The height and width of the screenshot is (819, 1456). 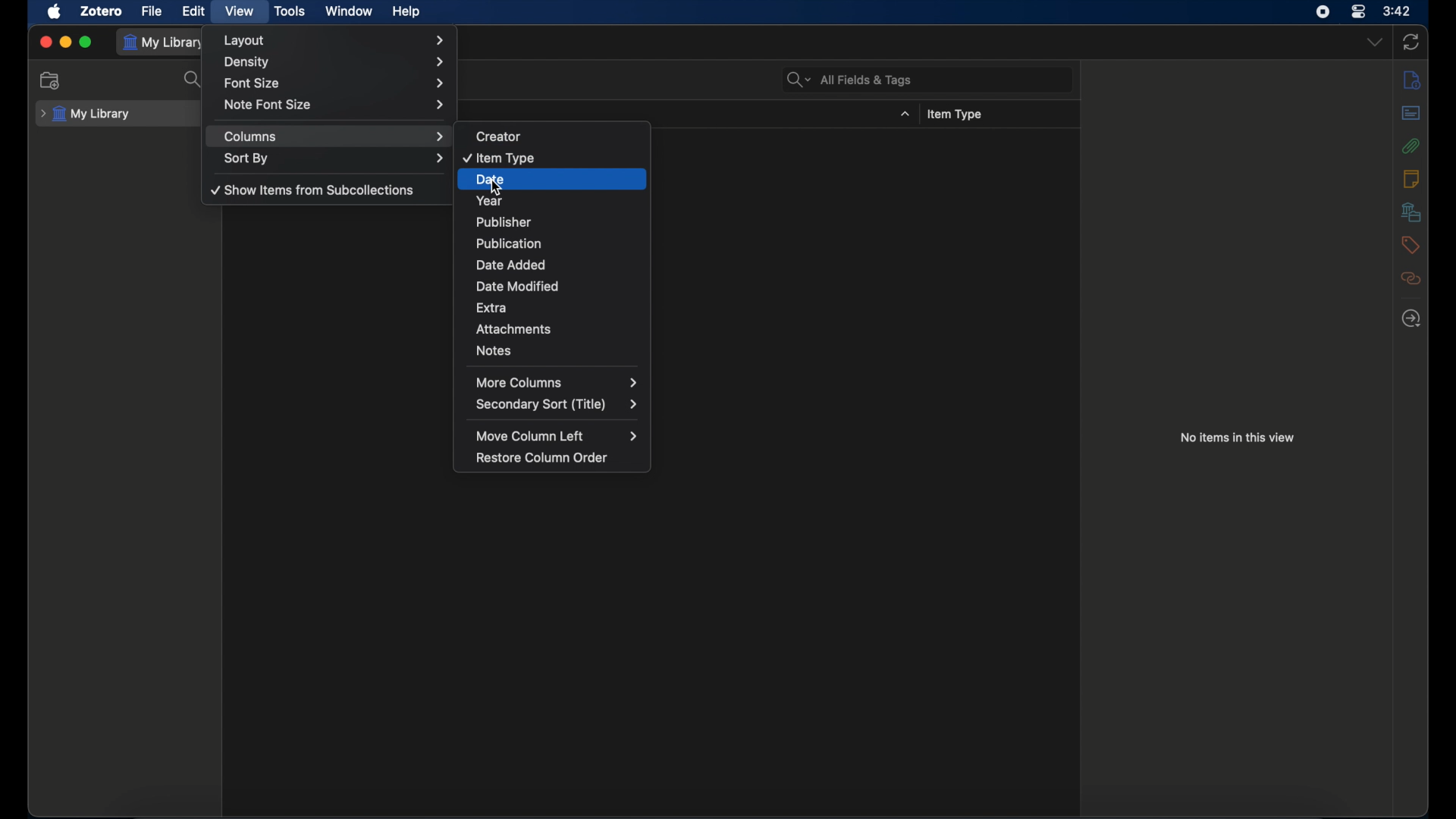 What do you see at coordinates (496, 191) in the screenshot?
I see `cursor` at bounding box center [496, 191].